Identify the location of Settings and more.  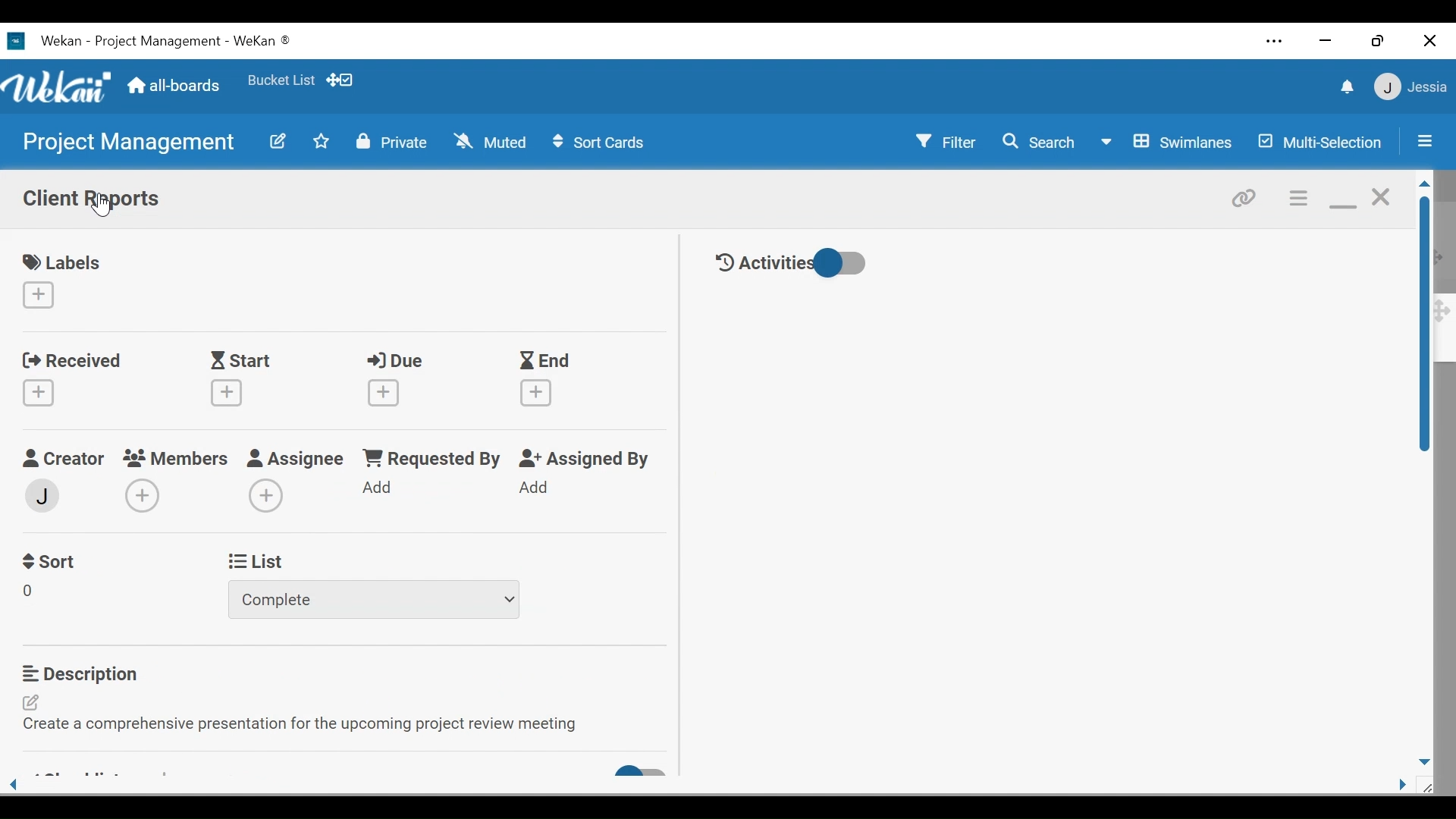
(1276, 42).